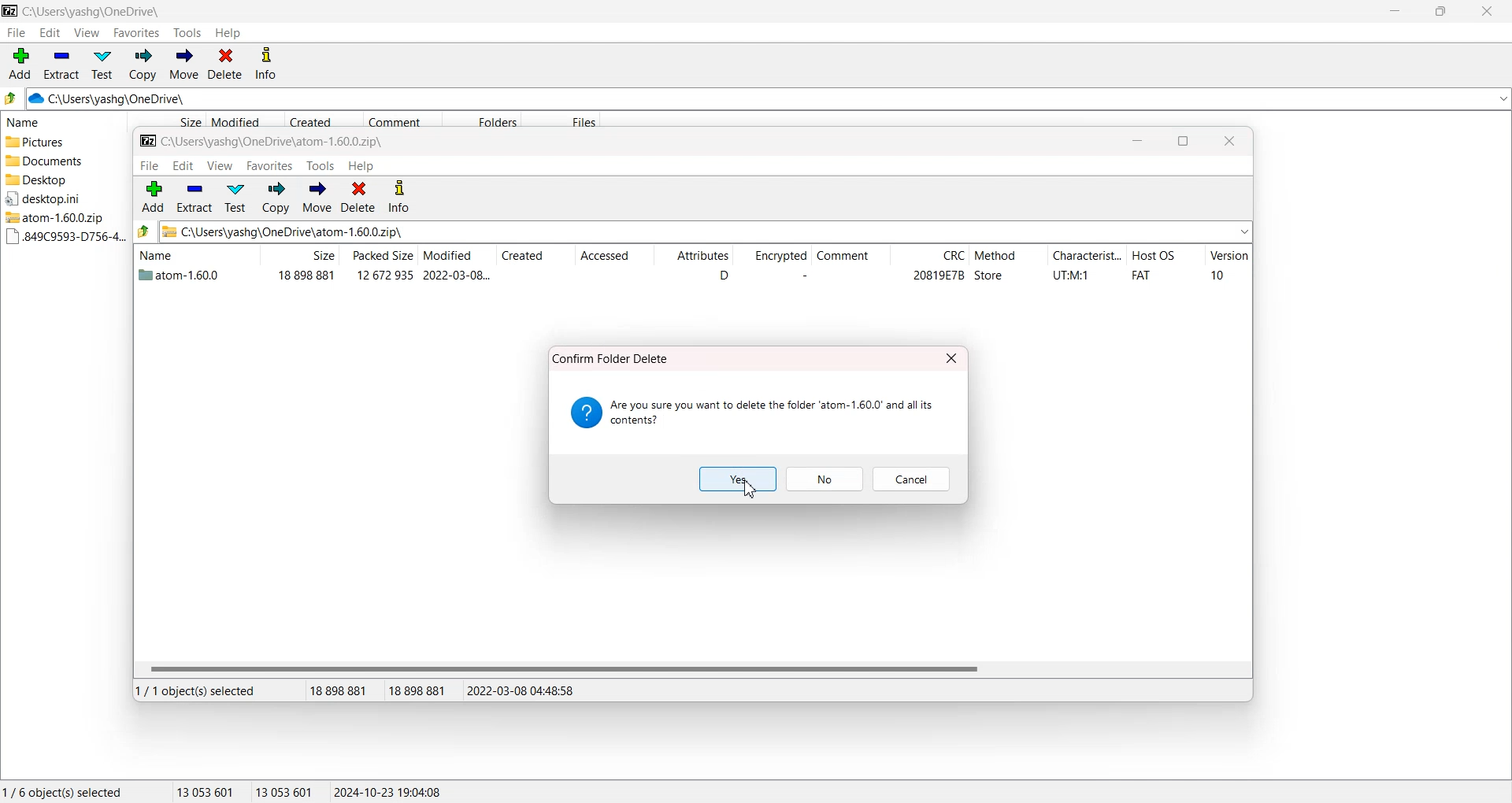 The width and height of the screenshot is (1512, 803). What do you see at coordinates (362, 166) in the screenshot?
I see `help` at bounding box center [362, 166].